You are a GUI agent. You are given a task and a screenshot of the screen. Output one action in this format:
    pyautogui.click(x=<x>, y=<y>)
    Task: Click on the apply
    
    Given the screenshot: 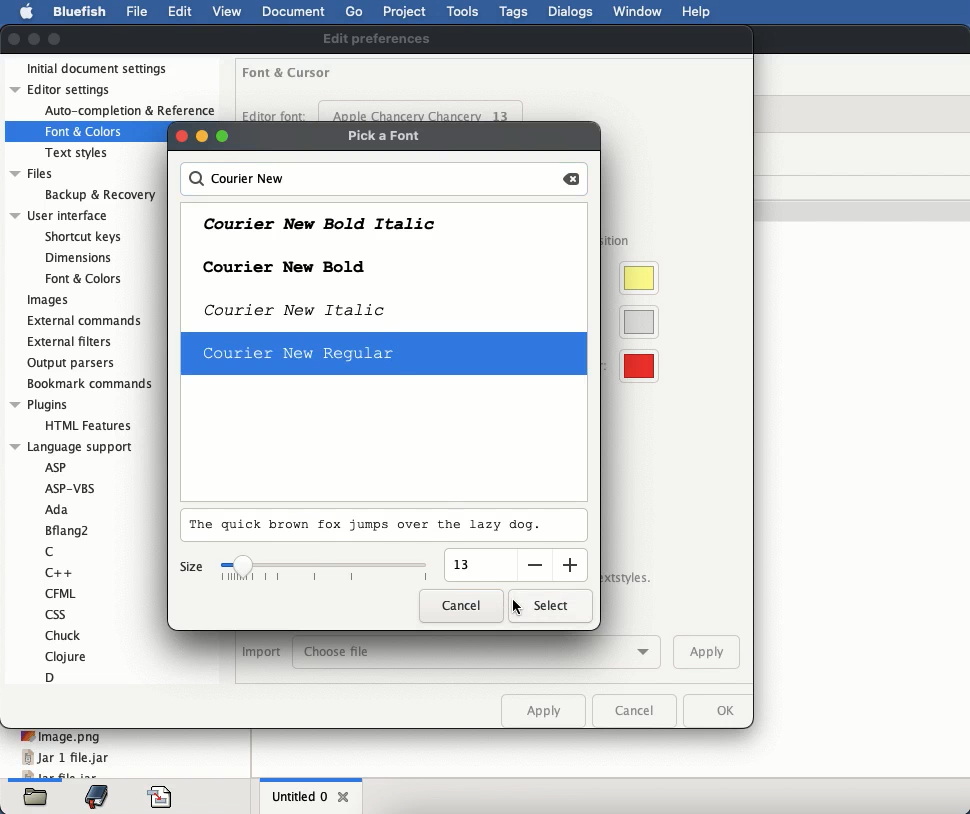 What is the action you would take?
    pyautogui.click(x=701, y=650)
    